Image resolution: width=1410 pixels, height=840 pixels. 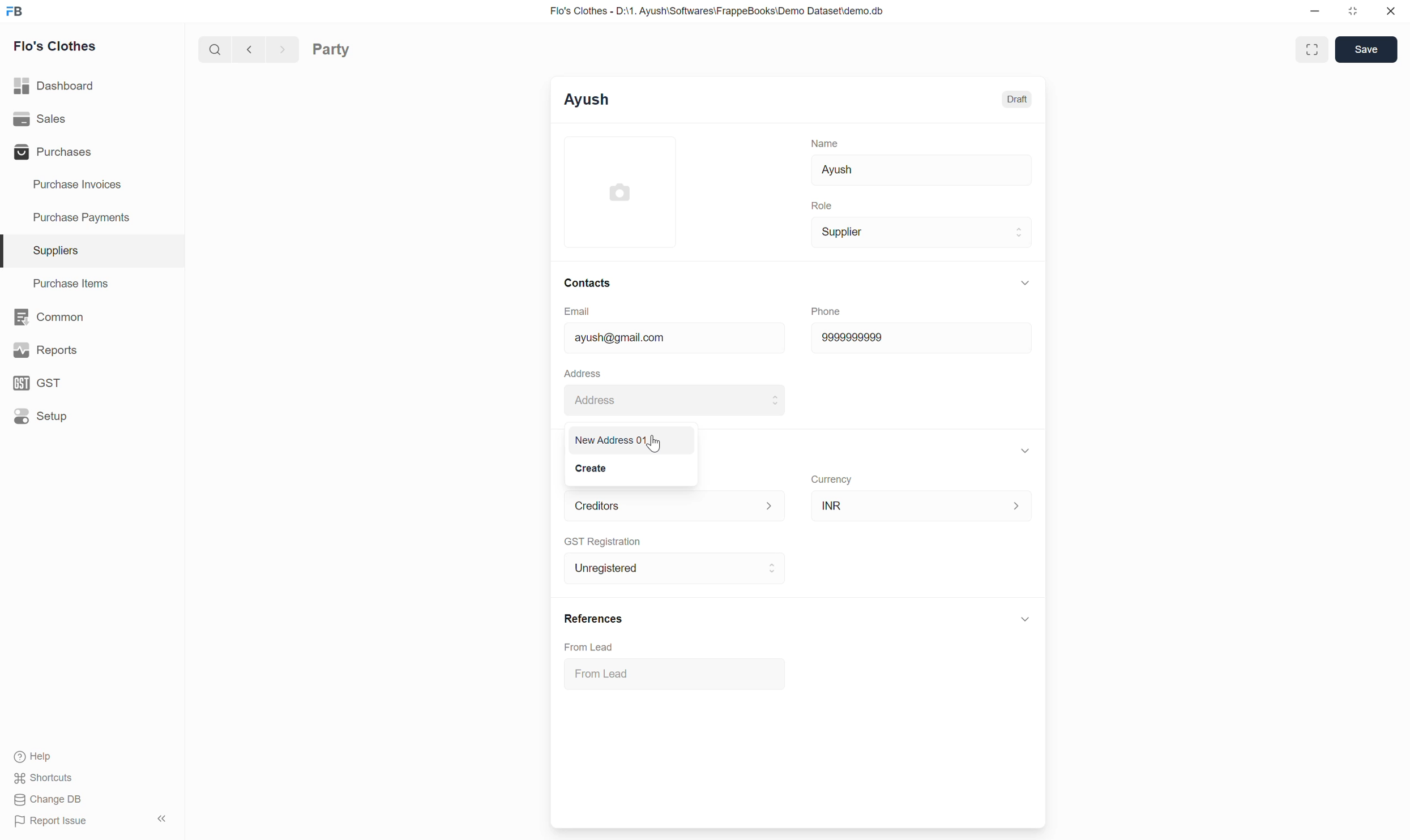 What do you see at coordinates (674, 338) in the screenshot?
I see `ayush@gmail.com` at bounding box center [674, 338].